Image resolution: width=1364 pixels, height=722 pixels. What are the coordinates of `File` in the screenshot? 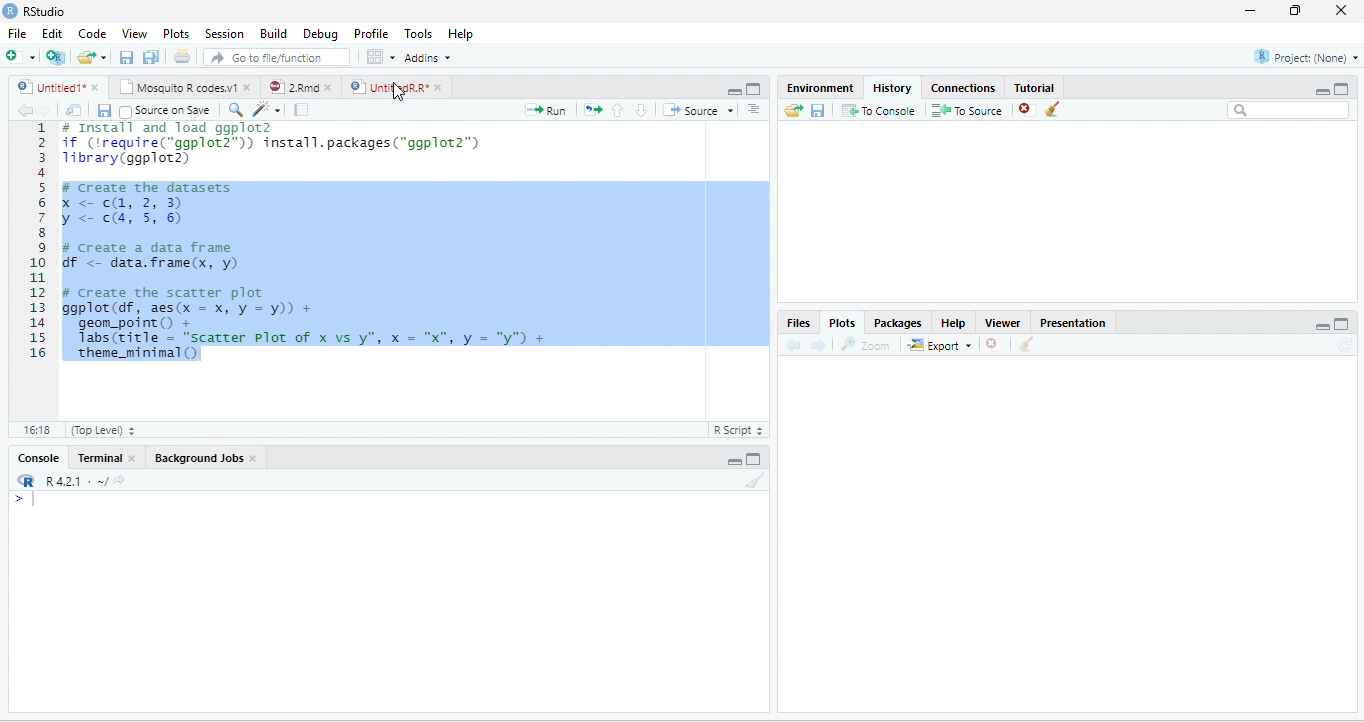 It's located at (18, 33).